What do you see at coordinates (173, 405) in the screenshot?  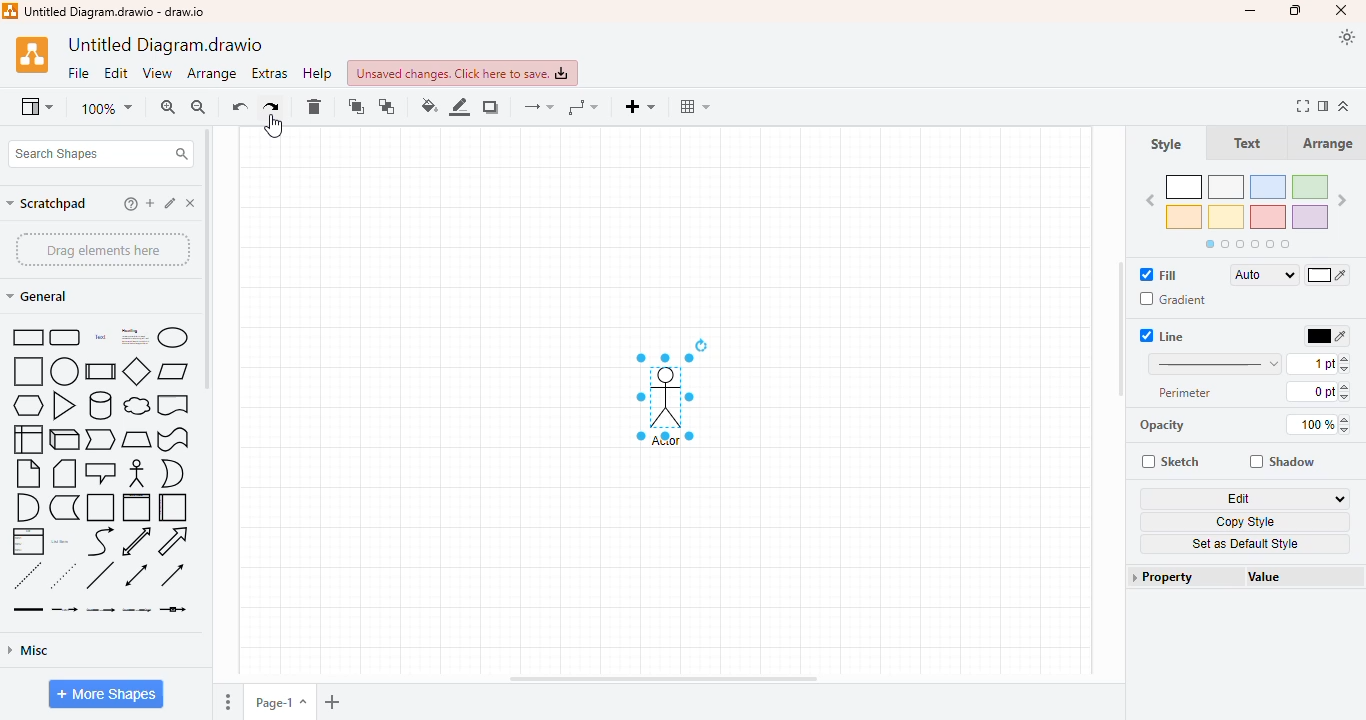 I see `document` at bounding box center [173, 405].